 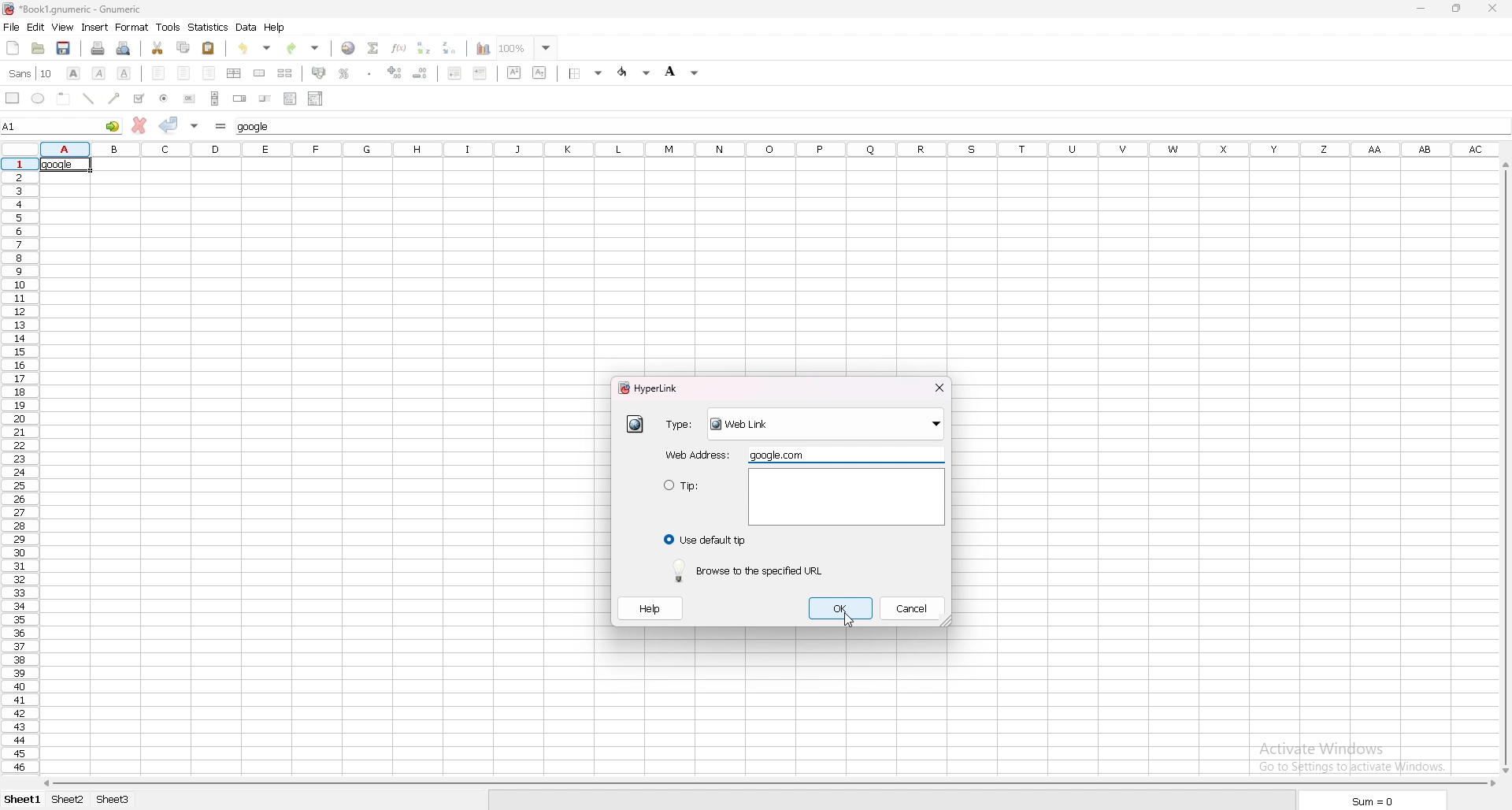 What do you see at coordinates (21, 466) in the screenshot?
I see `rows` at bounding box center [21, 466].